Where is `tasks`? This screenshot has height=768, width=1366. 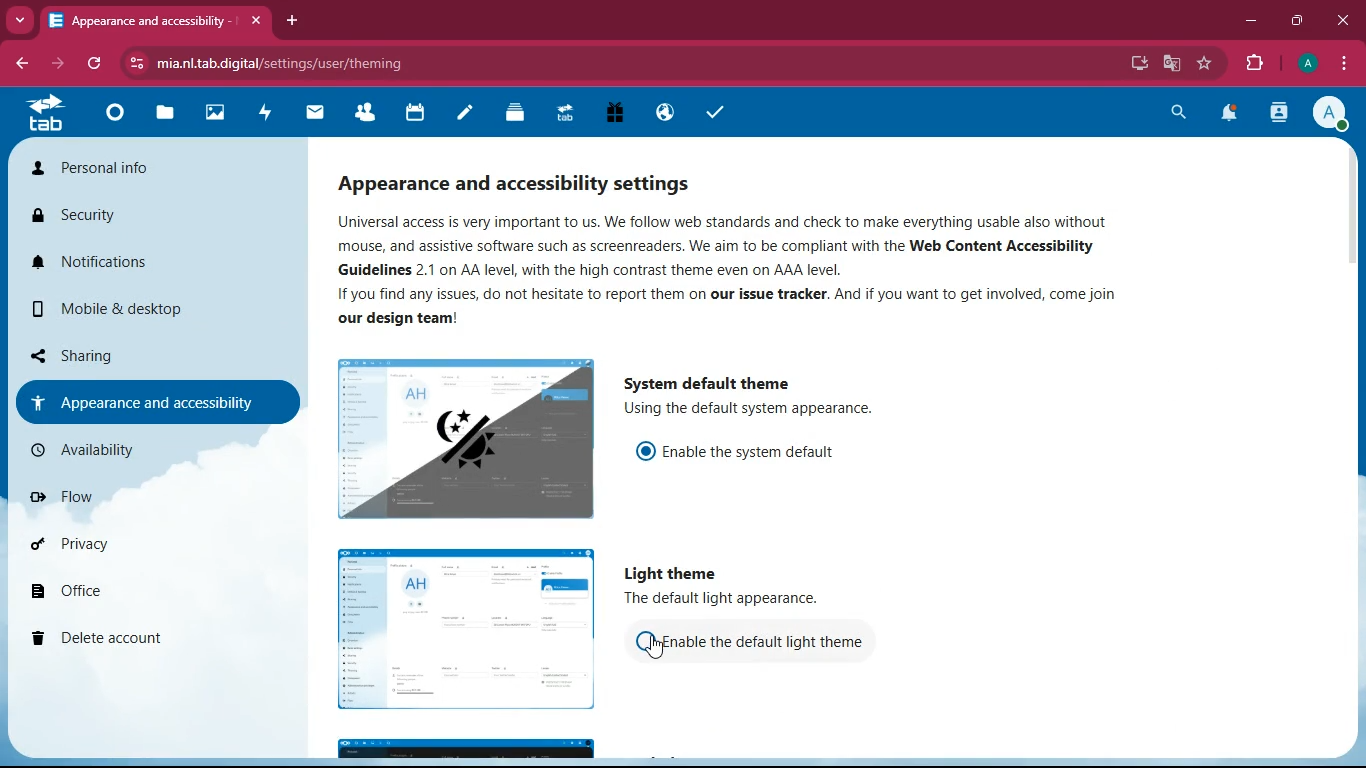 tasks is located at coordinates (709, 112).